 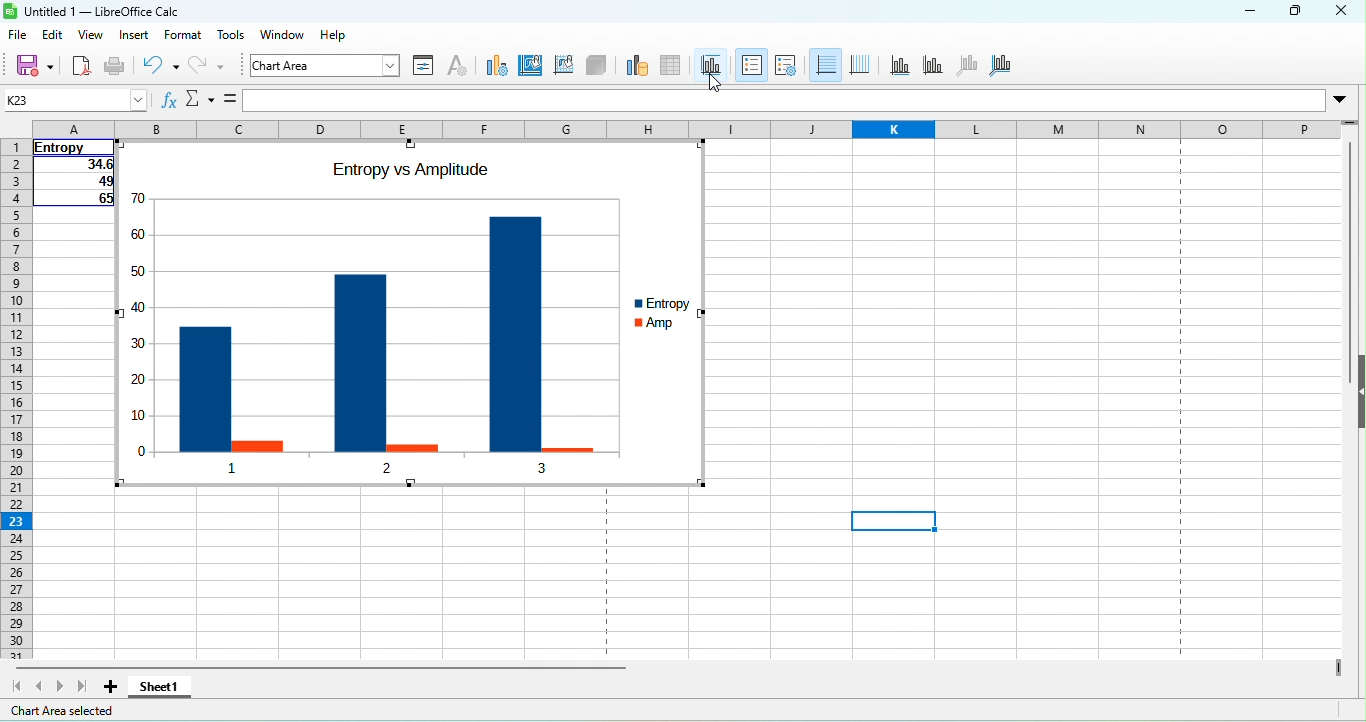 I want to click on chart area selected, so click(x=66, y=710).